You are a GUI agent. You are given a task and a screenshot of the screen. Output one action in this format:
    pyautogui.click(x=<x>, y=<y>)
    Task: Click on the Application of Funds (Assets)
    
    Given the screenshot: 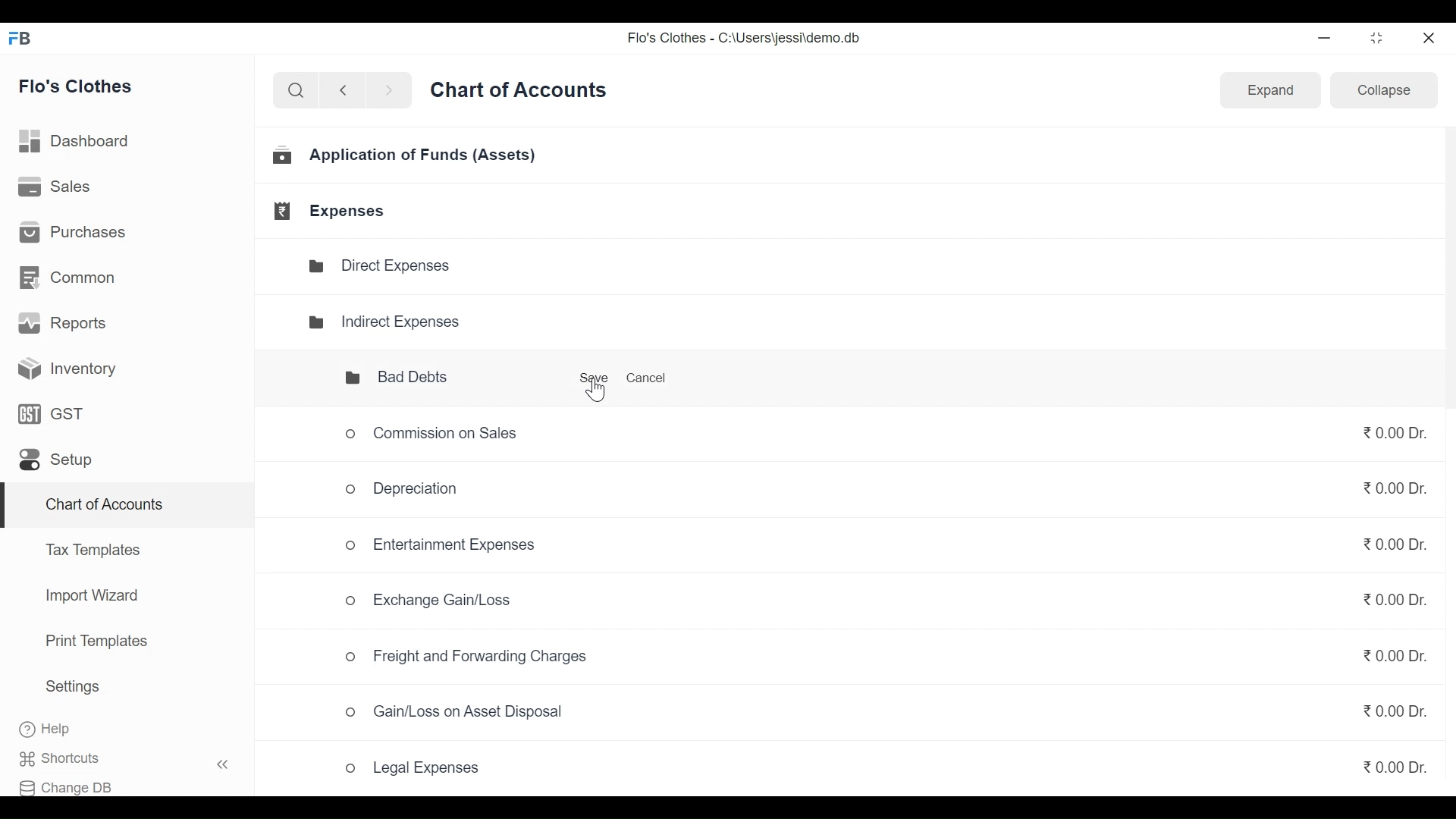 What is the action you would take?
    pyautogui.click(x=406, y=158)
    